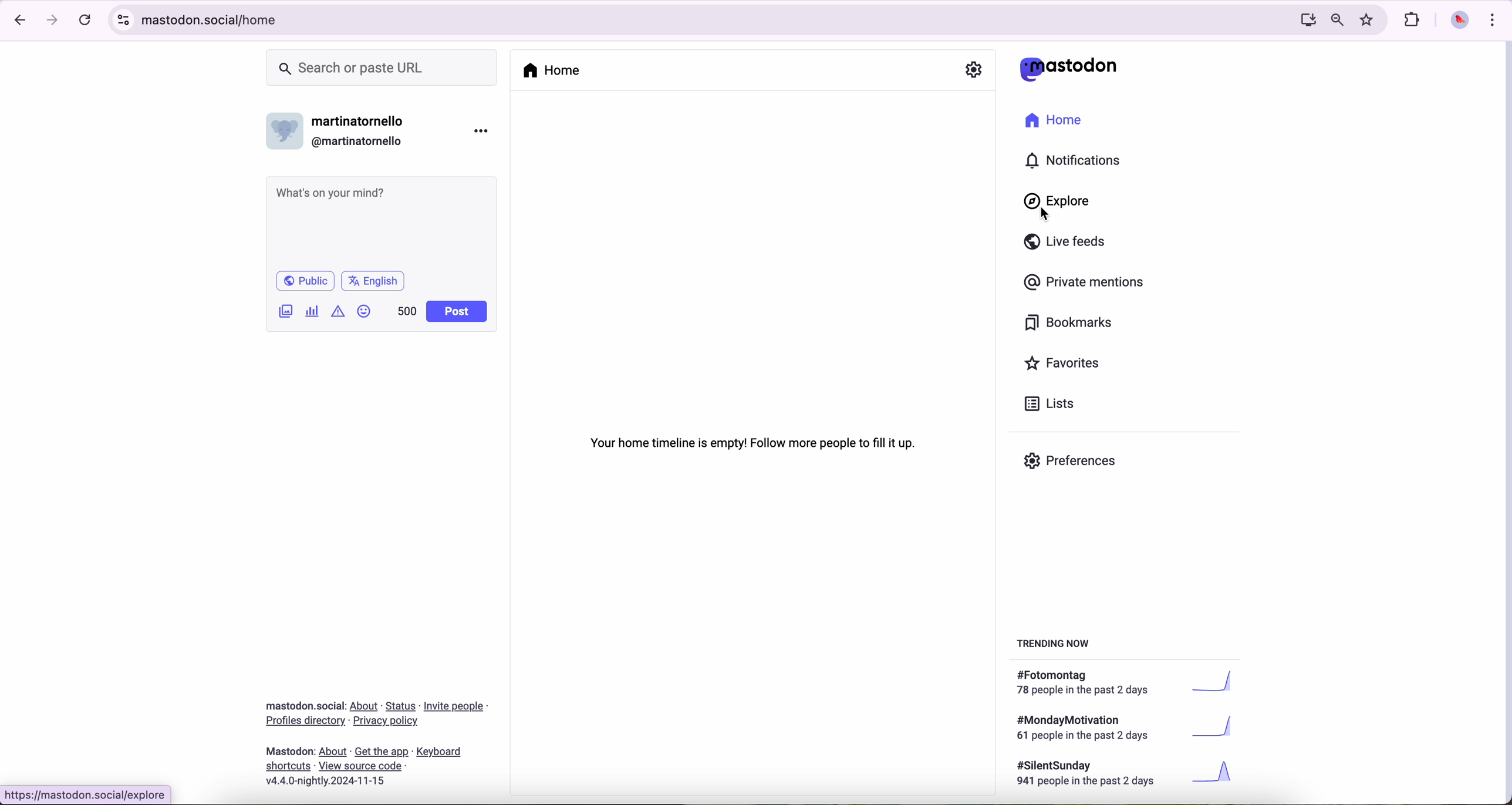 The width and height of the screenshot is (1512, 805). I want to click on more options, so click(484, 130).